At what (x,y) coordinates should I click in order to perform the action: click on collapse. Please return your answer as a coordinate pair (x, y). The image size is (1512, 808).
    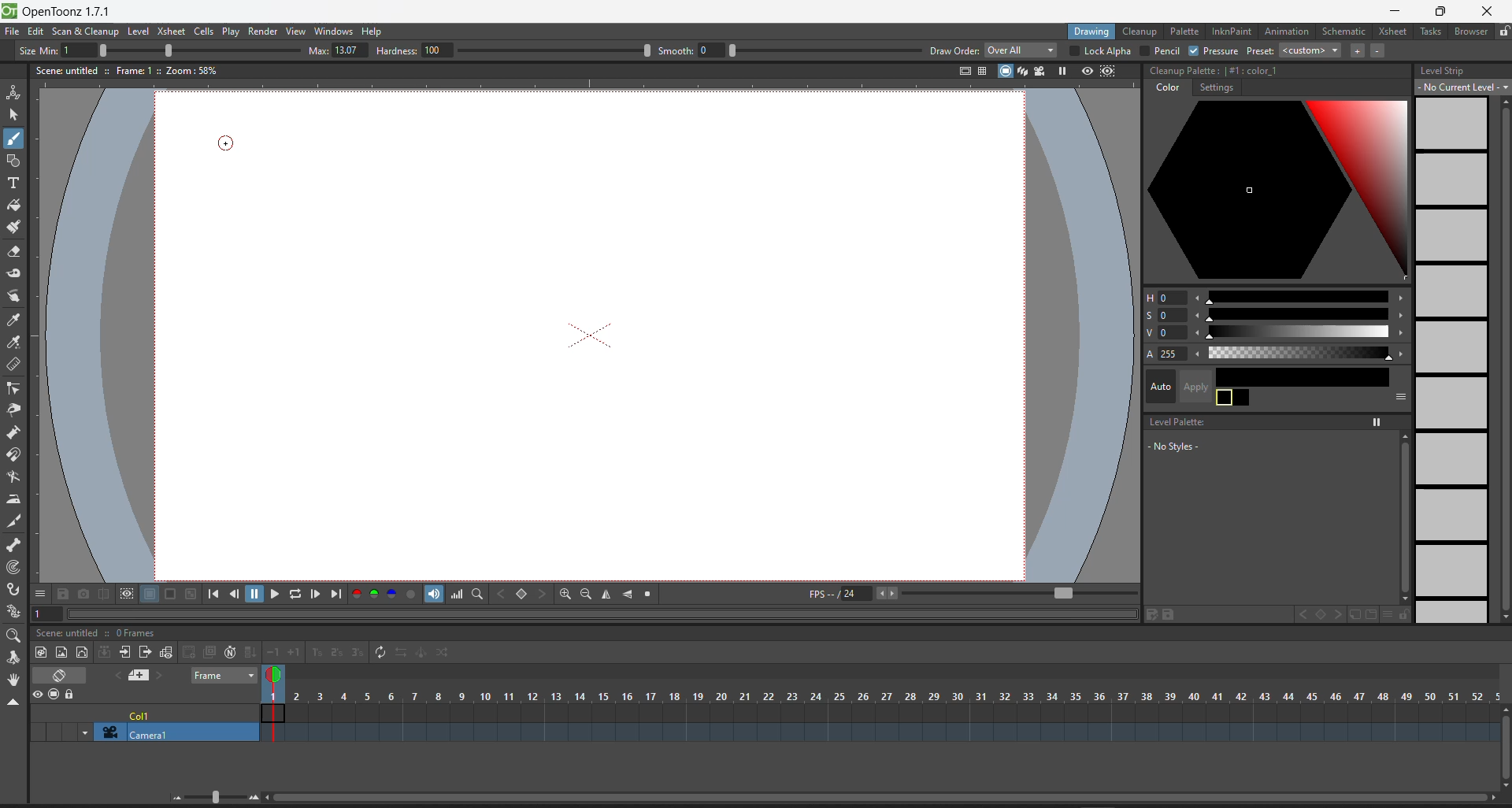
    Looking at the image, I should click on (103, 651).